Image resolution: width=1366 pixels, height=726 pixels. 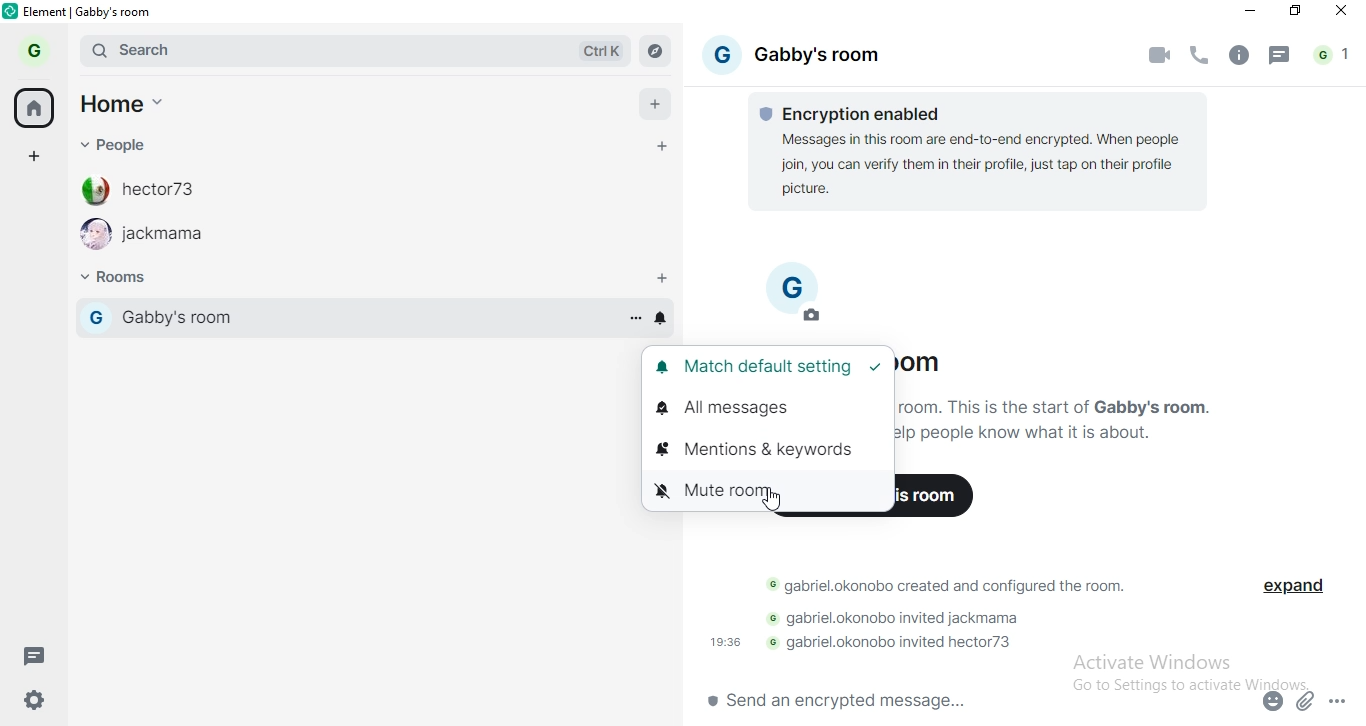 I want to click on edit, so click(x=813, y=317).